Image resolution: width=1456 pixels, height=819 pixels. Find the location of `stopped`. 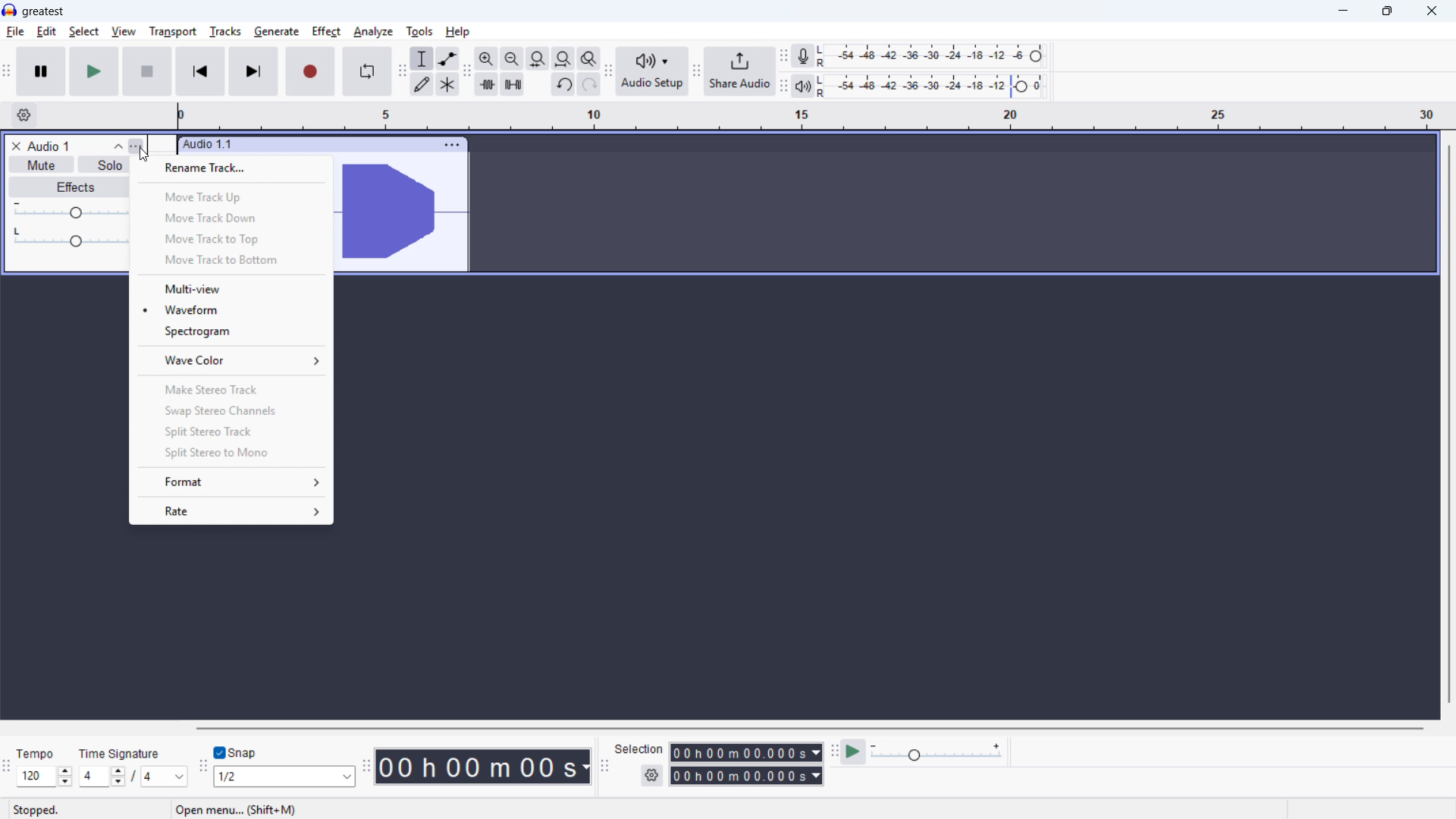

stopped is located at coordinates (35, 810).